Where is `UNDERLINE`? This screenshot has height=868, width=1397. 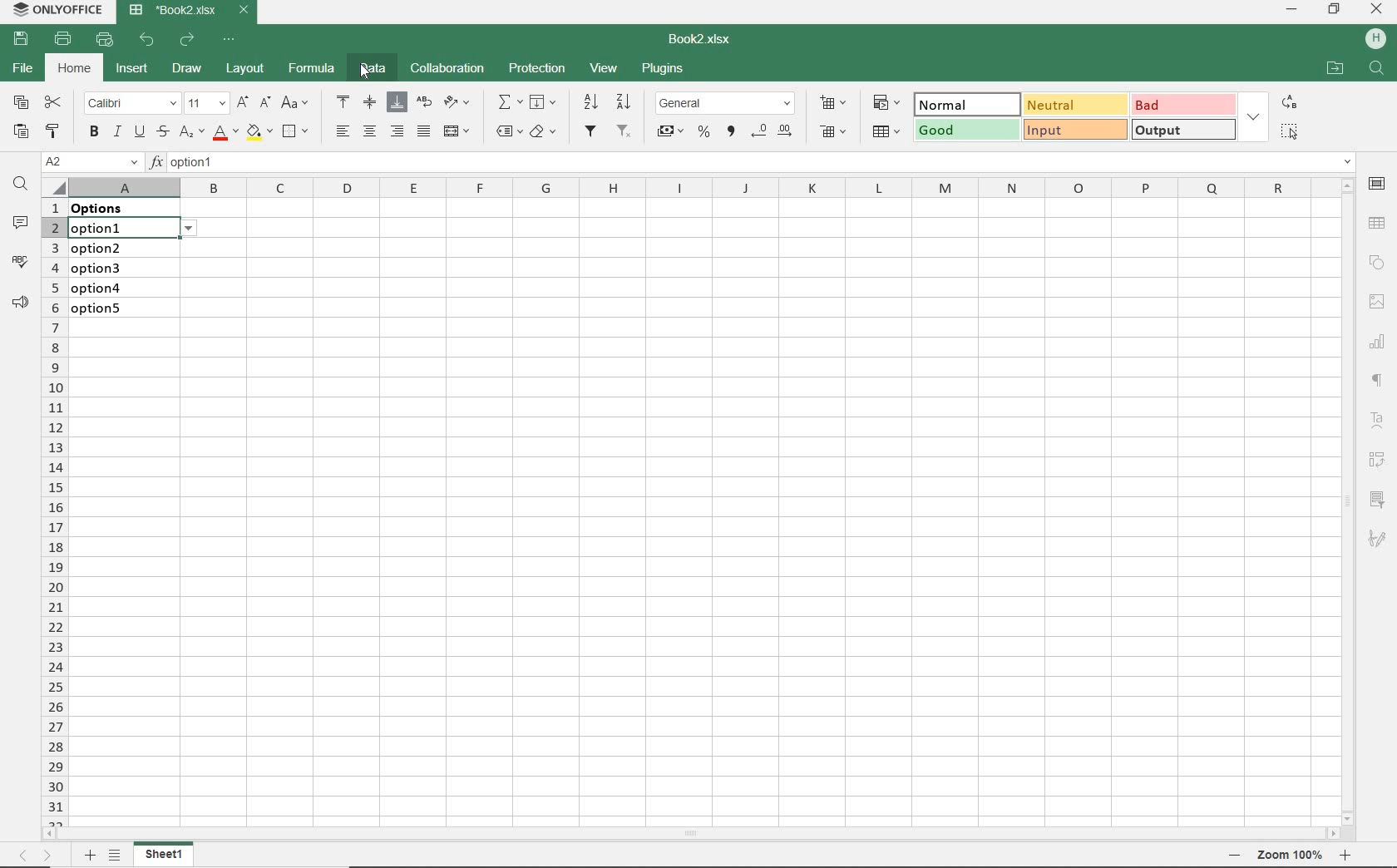 UNDERLINE is located at coordinates (139, 132).